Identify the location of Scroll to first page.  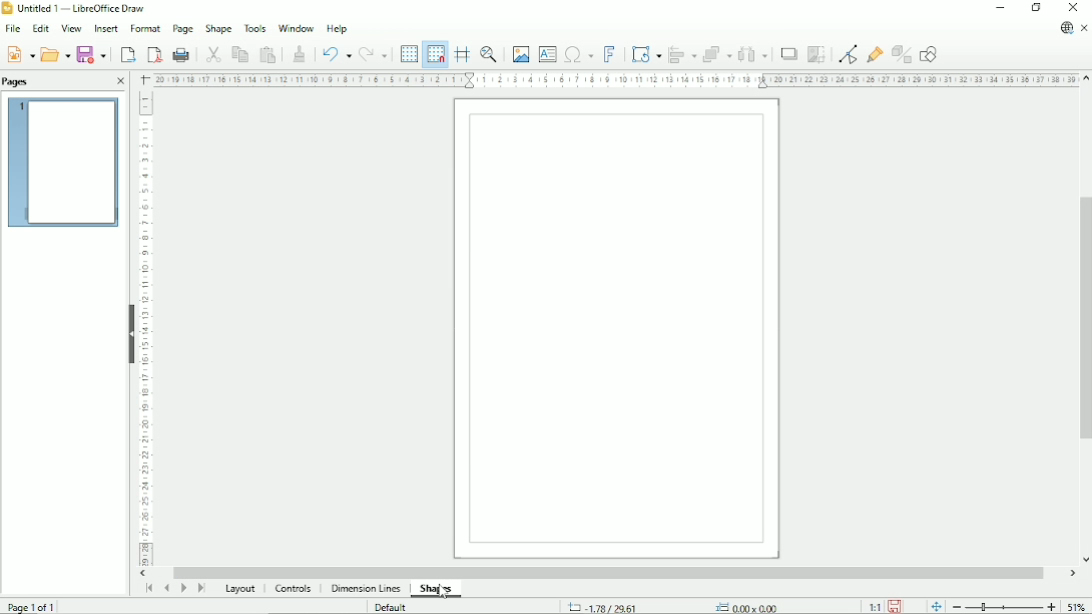
(148, 589).